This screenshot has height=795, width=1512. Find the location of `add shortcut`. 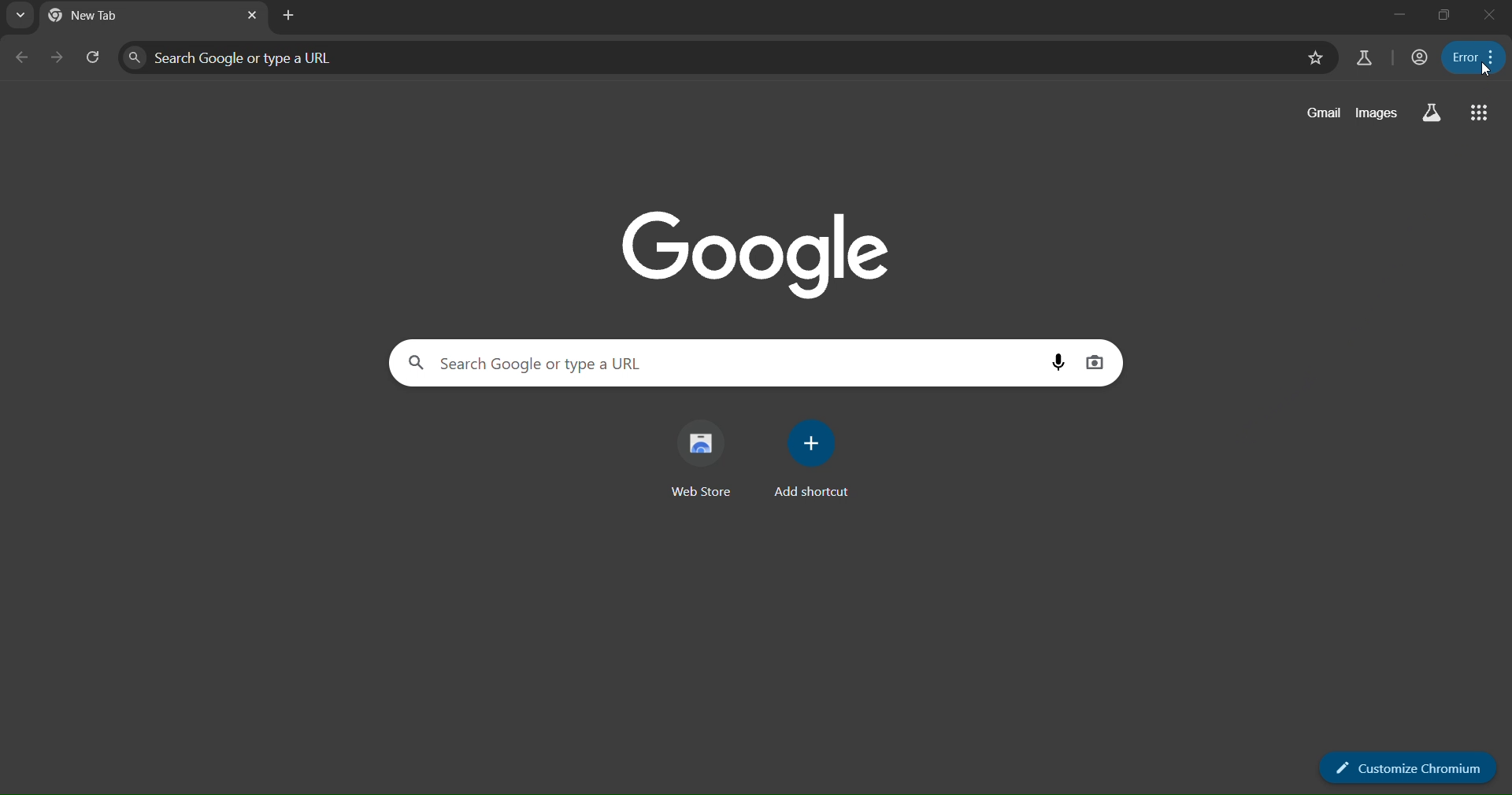

add shortcut is located at coordinates (810, 464).